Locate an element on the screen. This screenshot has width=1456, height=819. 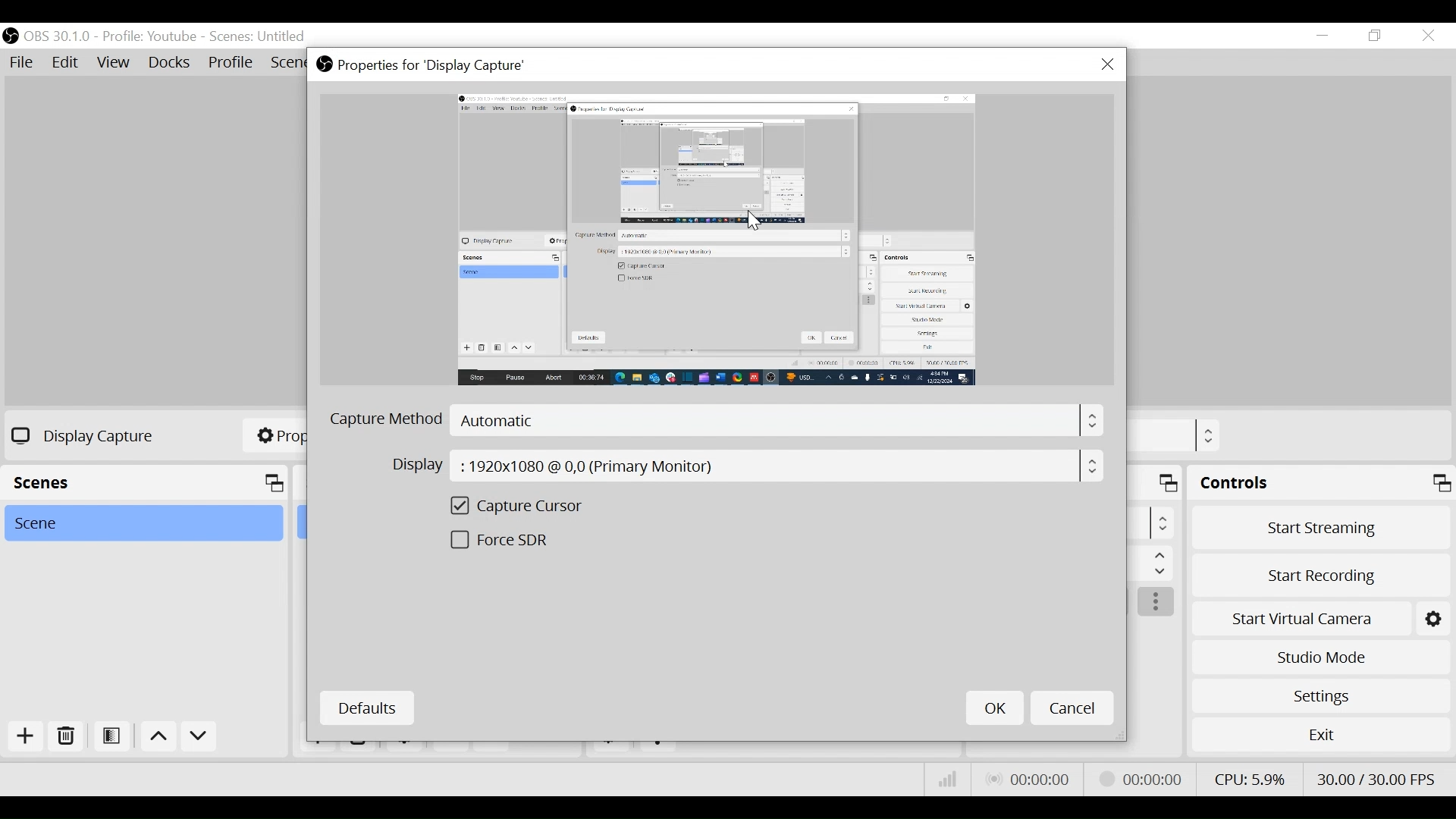
Start Streaming is located at coordinates (1321, 528).